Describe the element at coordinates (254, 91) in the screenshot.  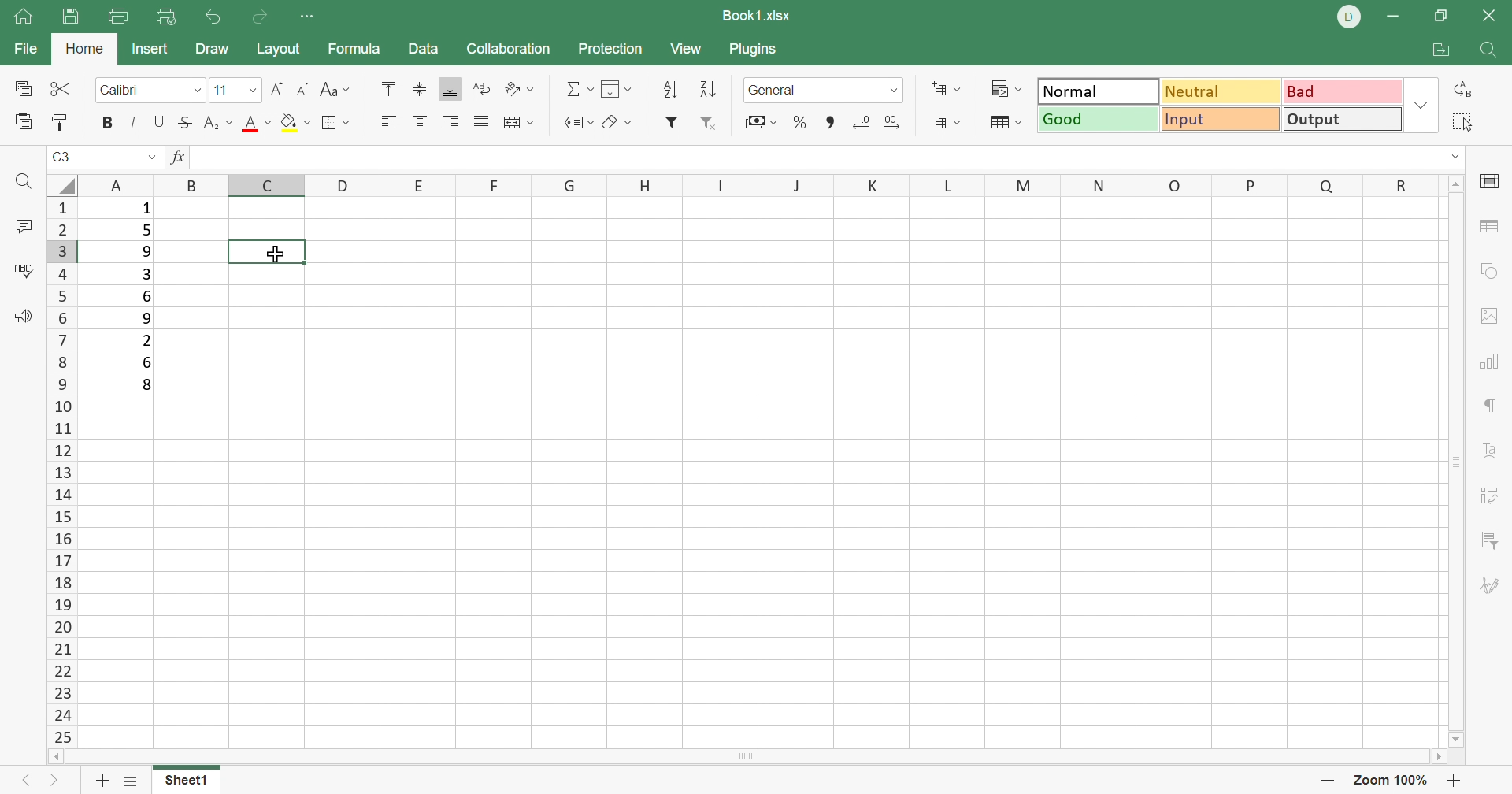
I see `Drop Down` at that location.